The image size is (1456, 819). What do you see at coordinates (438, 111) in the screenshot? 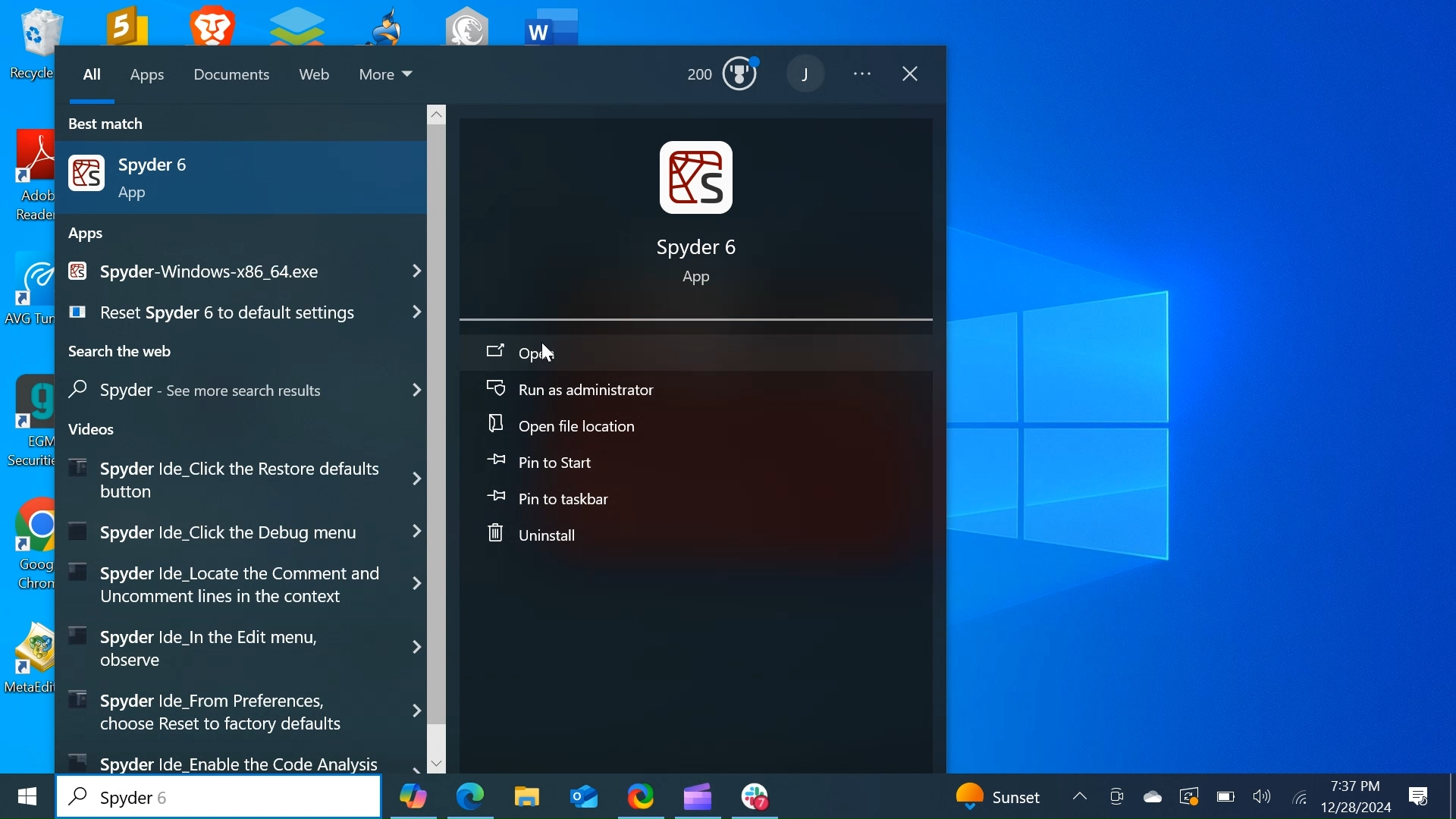
I see `Scroll up` at bounding box center [438, 111].